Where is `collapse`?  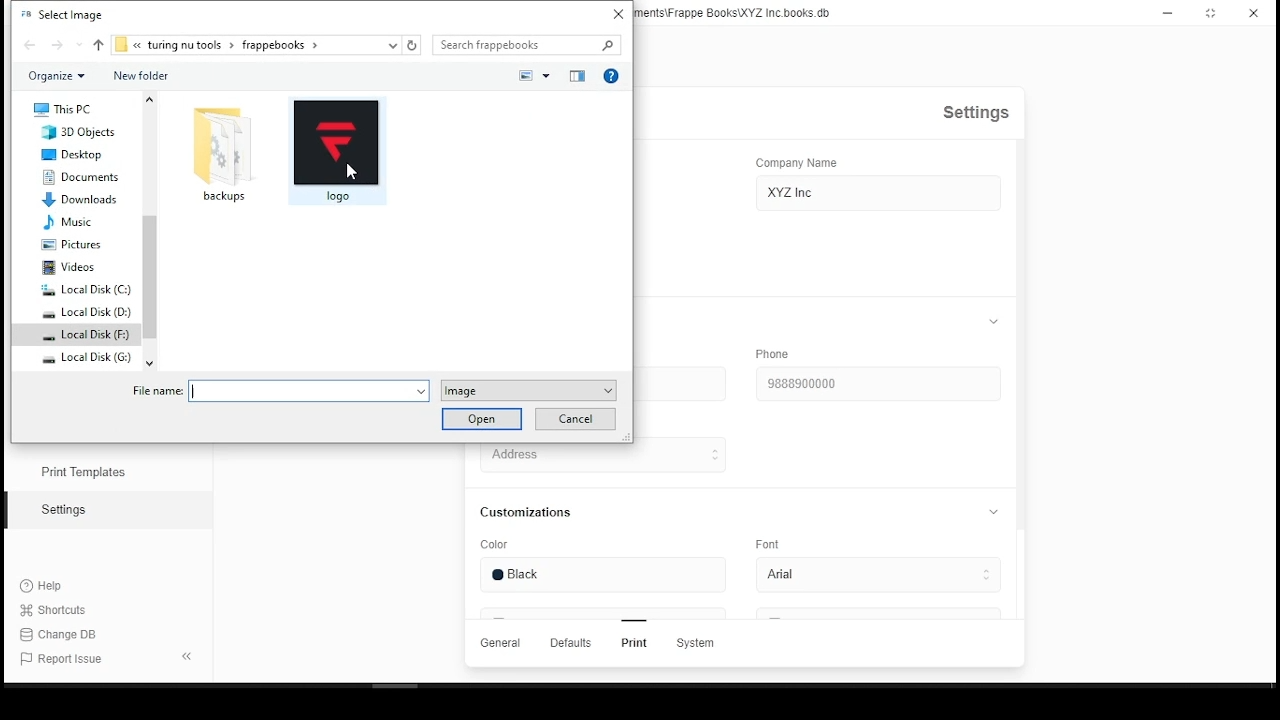 collapse is located at coordinates (993, 513).